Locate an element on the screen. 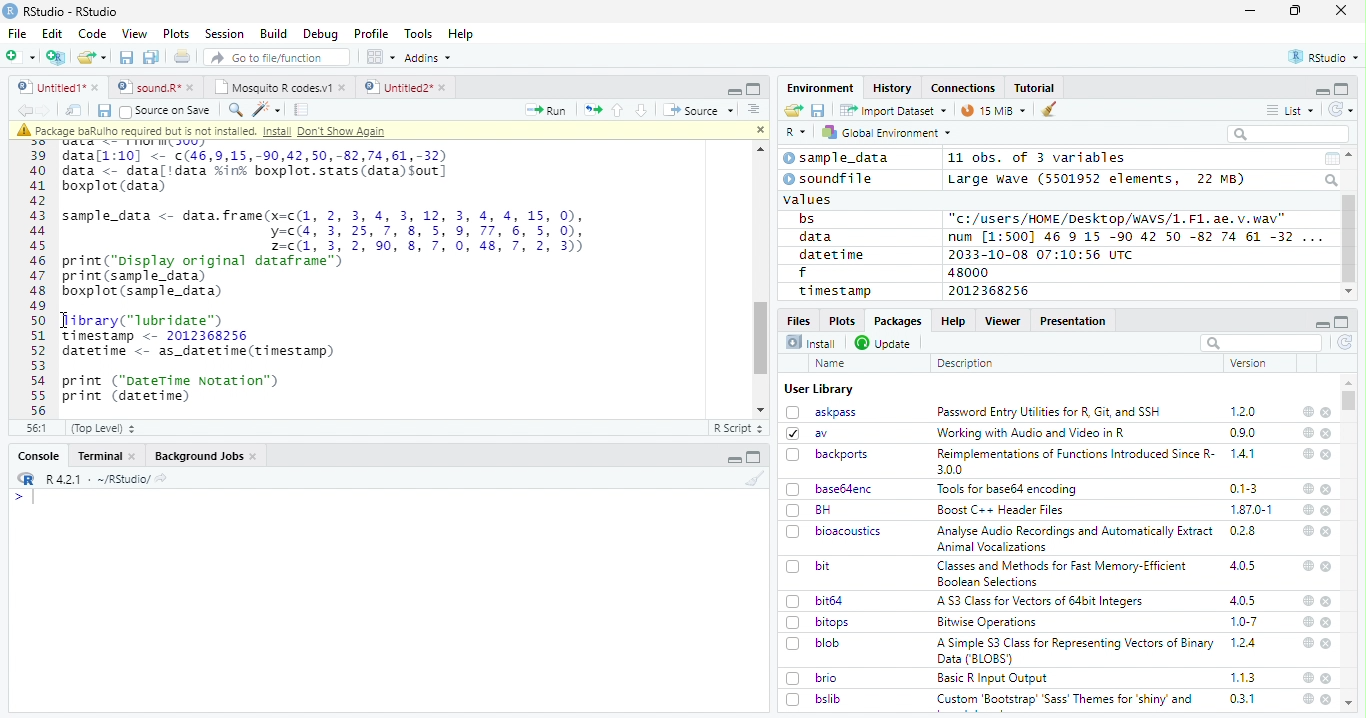  1.2.0 is located at coordinates (1245, 411).